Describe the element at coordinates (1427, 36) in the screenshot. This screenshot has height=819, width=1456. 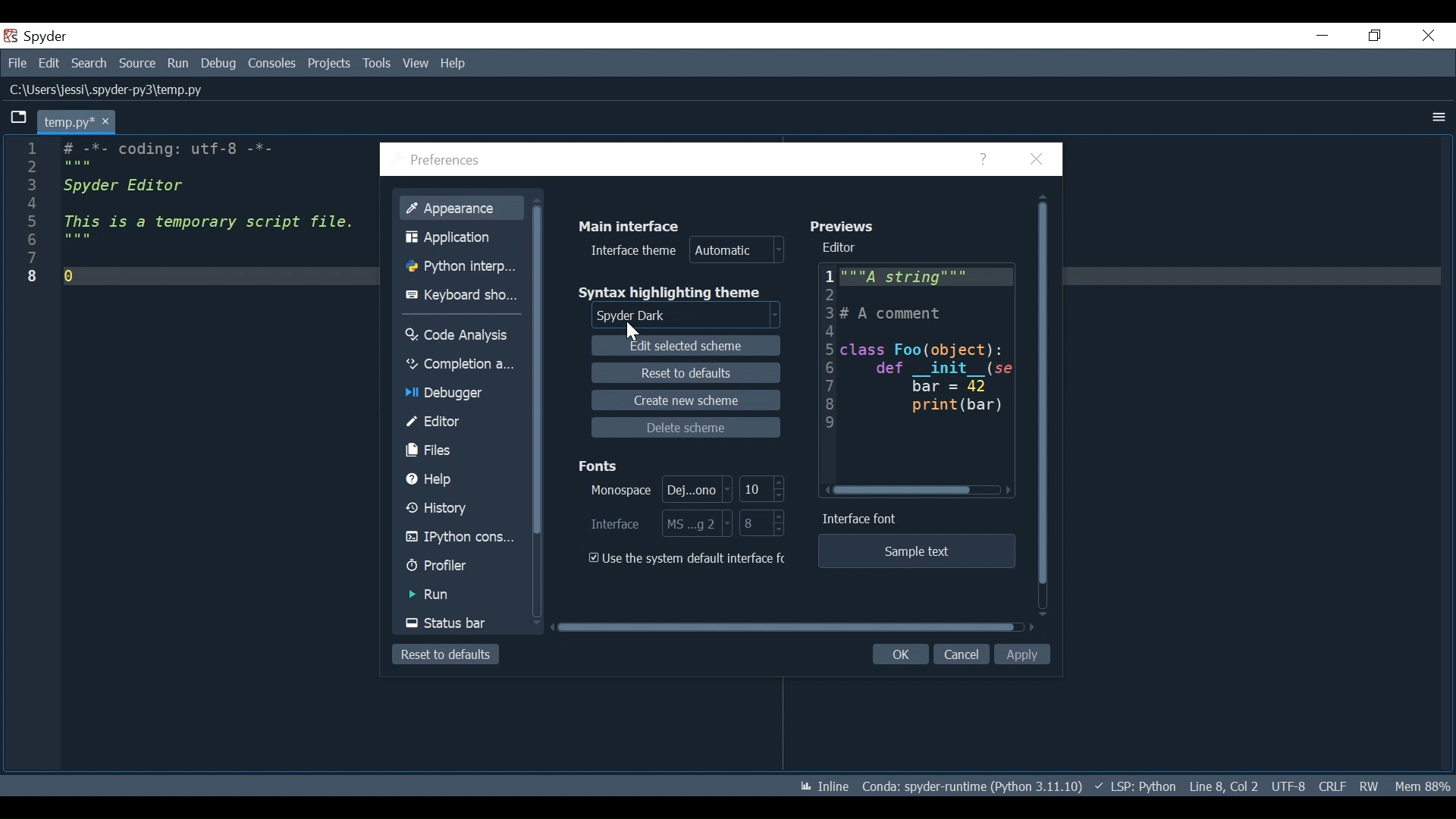
I see `Close` at that location.